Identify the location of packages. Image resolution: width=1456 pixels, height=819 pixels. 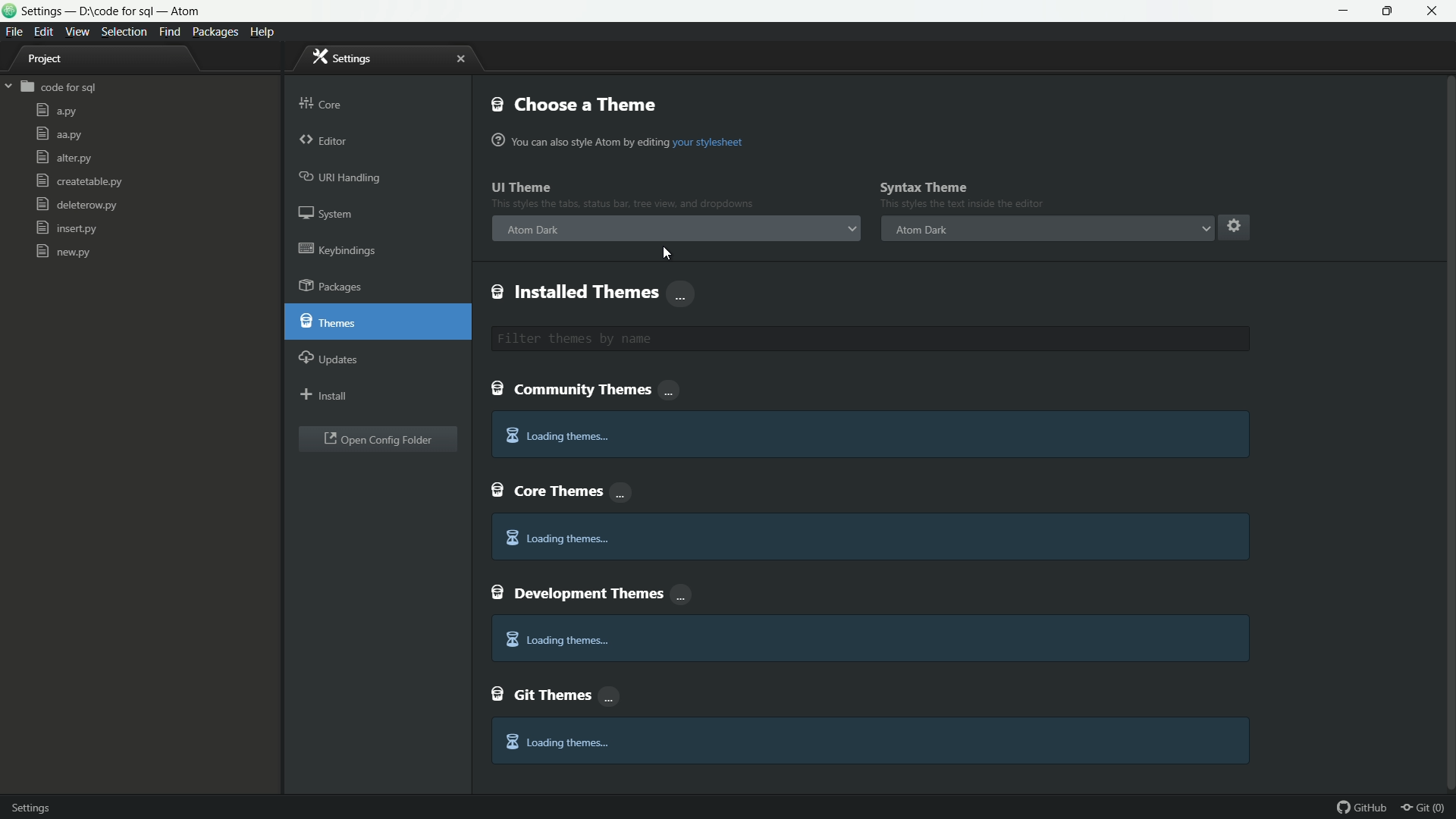
(331, 286).